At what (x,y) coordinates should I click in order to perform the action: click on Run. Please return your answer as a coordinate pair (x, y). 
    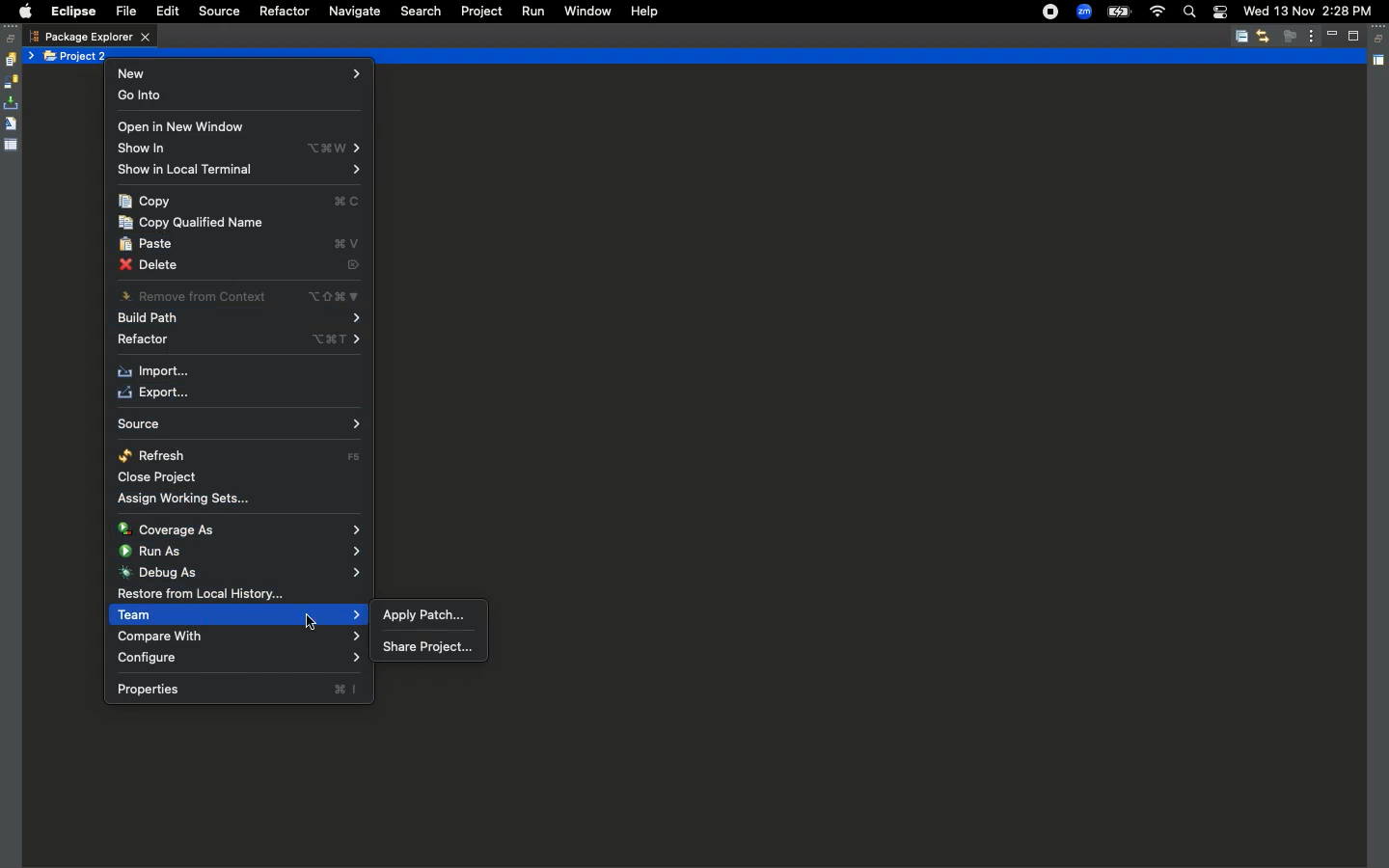
    Looking at the image, I should click on (531, 12).